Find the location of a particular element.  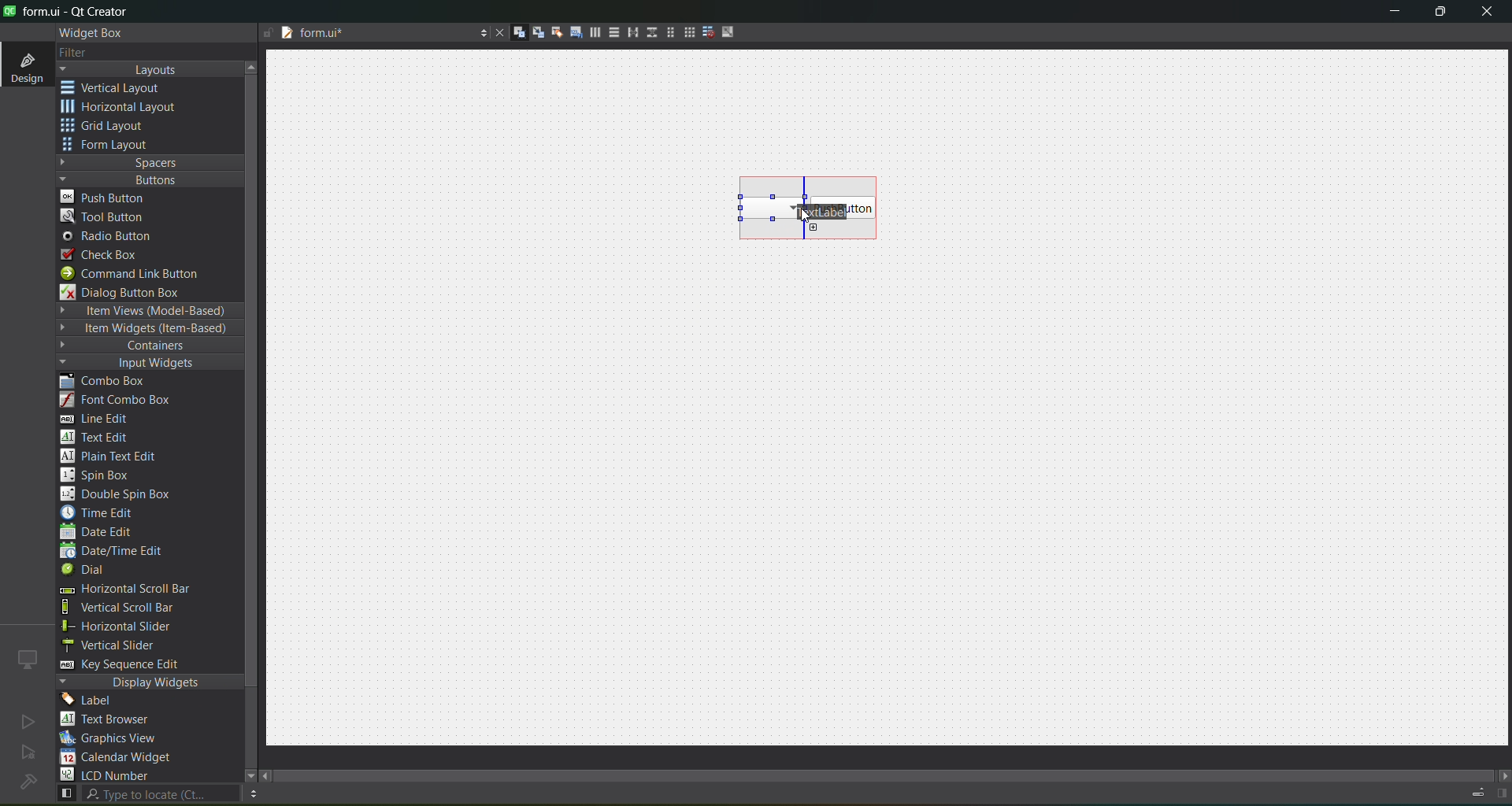

label is located at coordinates (91, 701).